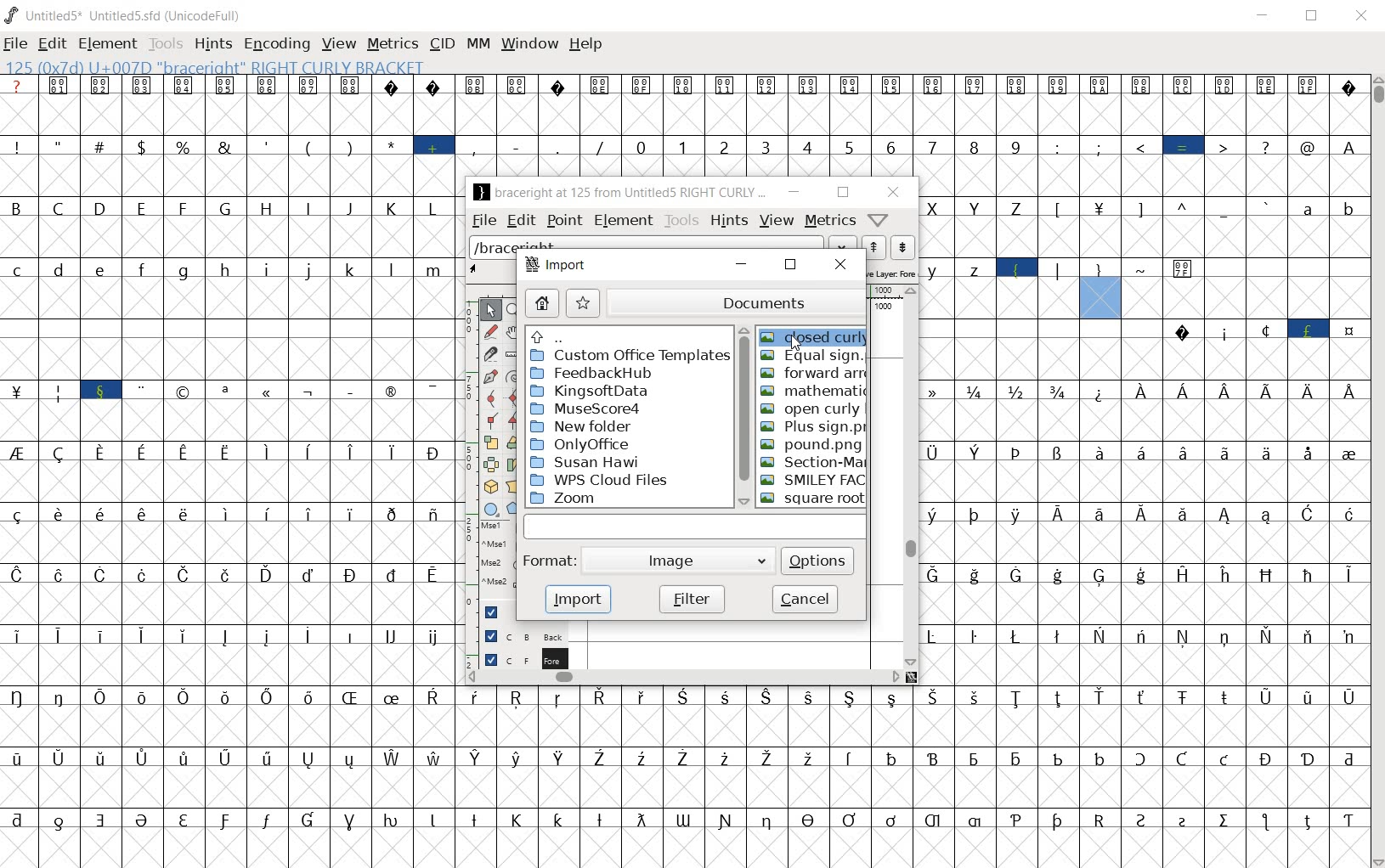  I want to click on view, so click(776, 222).